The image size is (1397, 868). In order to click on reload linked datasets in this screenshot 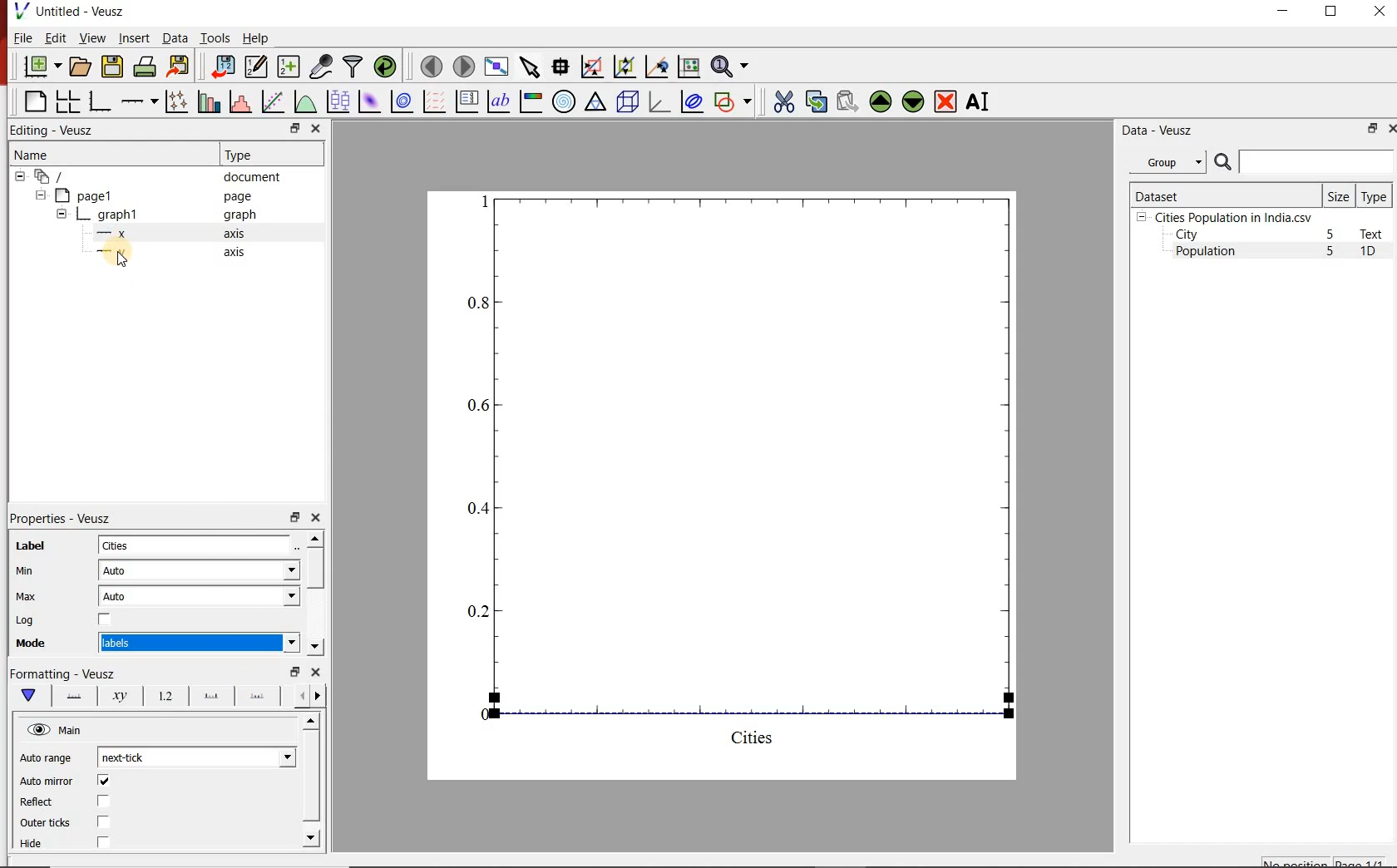, I will do `click(384, 67)`.